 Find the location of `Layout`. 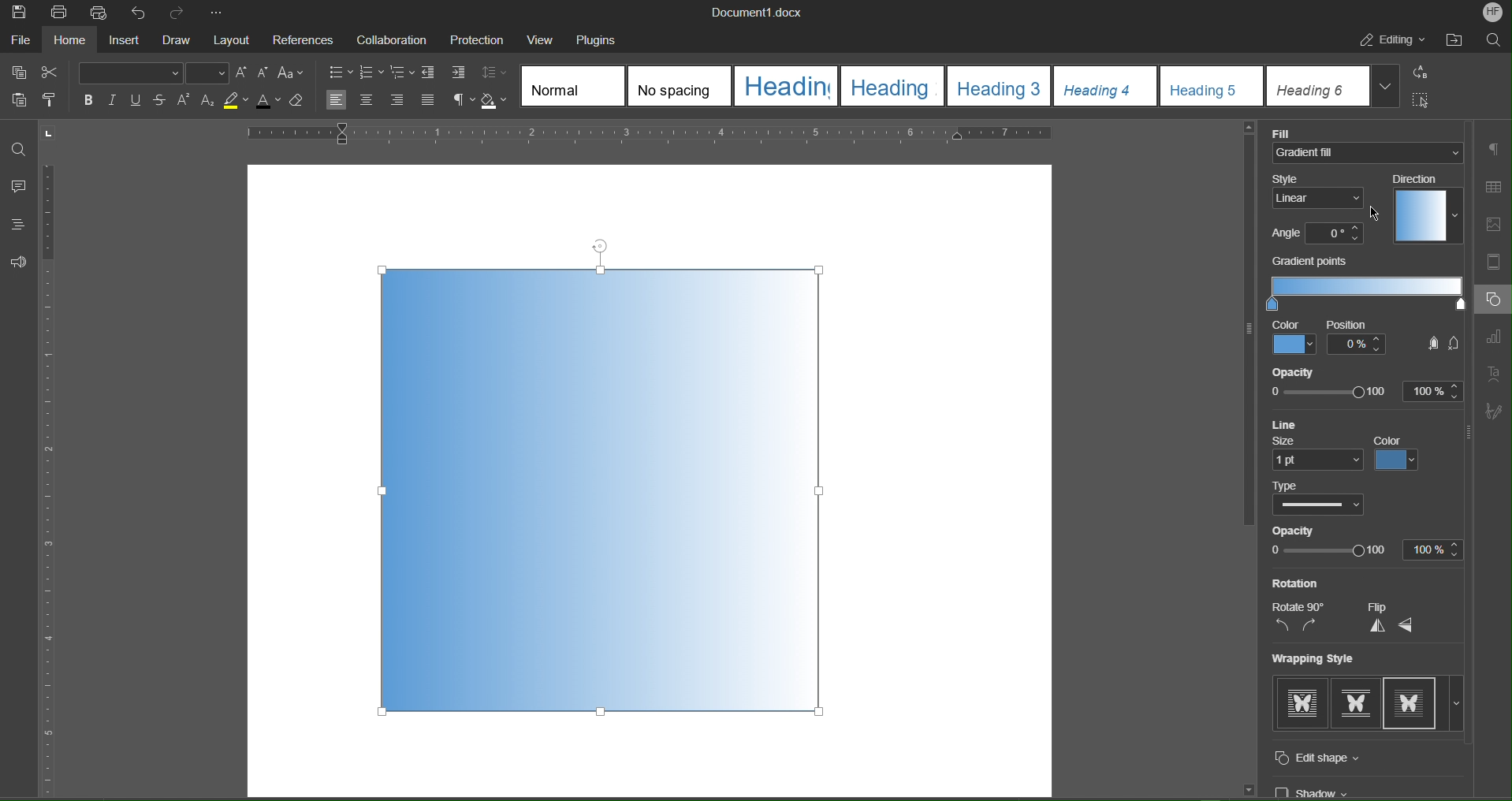

Layout is located at coordinates (234, 38).